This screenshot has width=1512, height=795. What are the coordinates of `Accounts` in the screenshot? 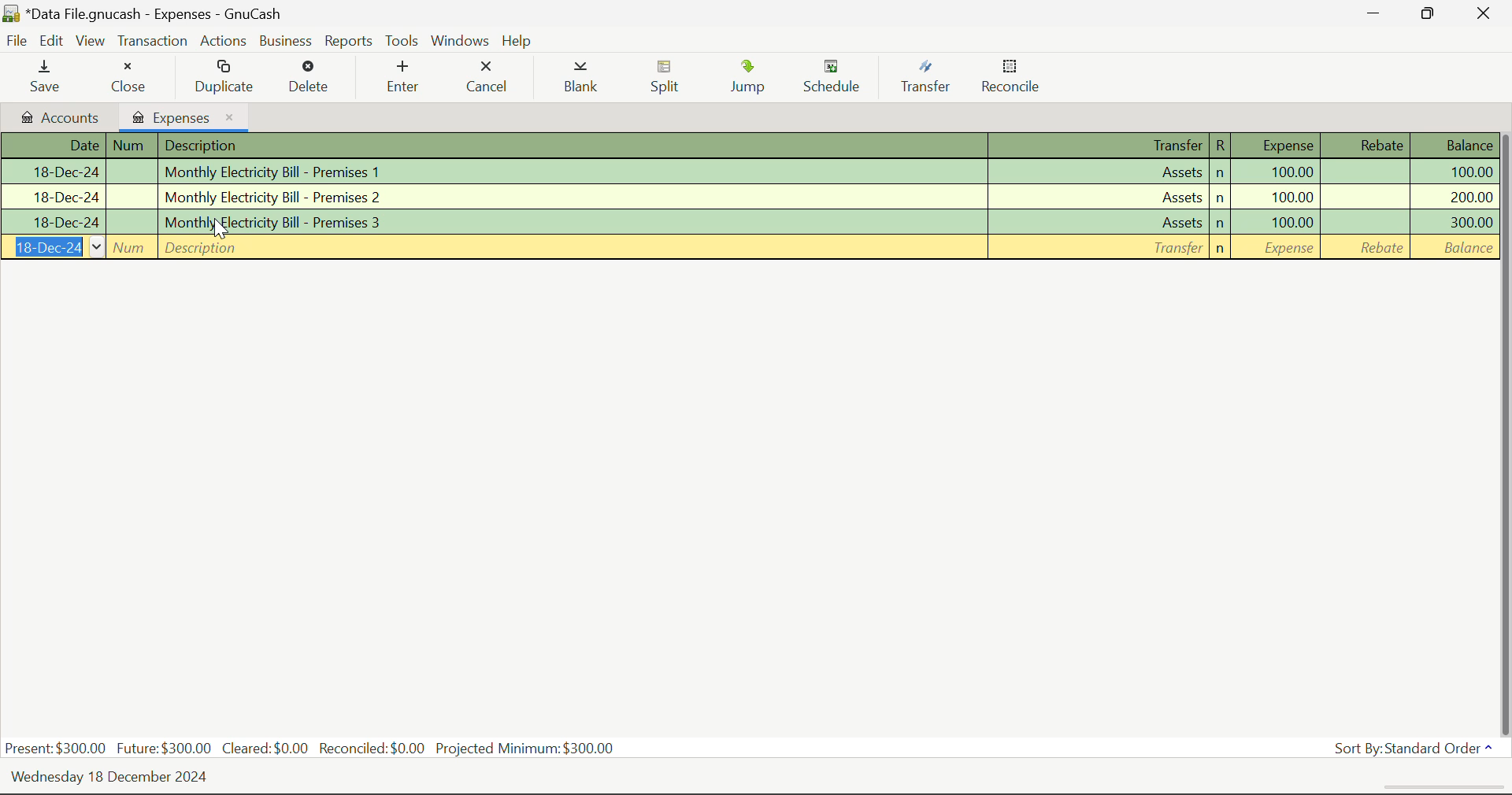 It's located at (57, 117).